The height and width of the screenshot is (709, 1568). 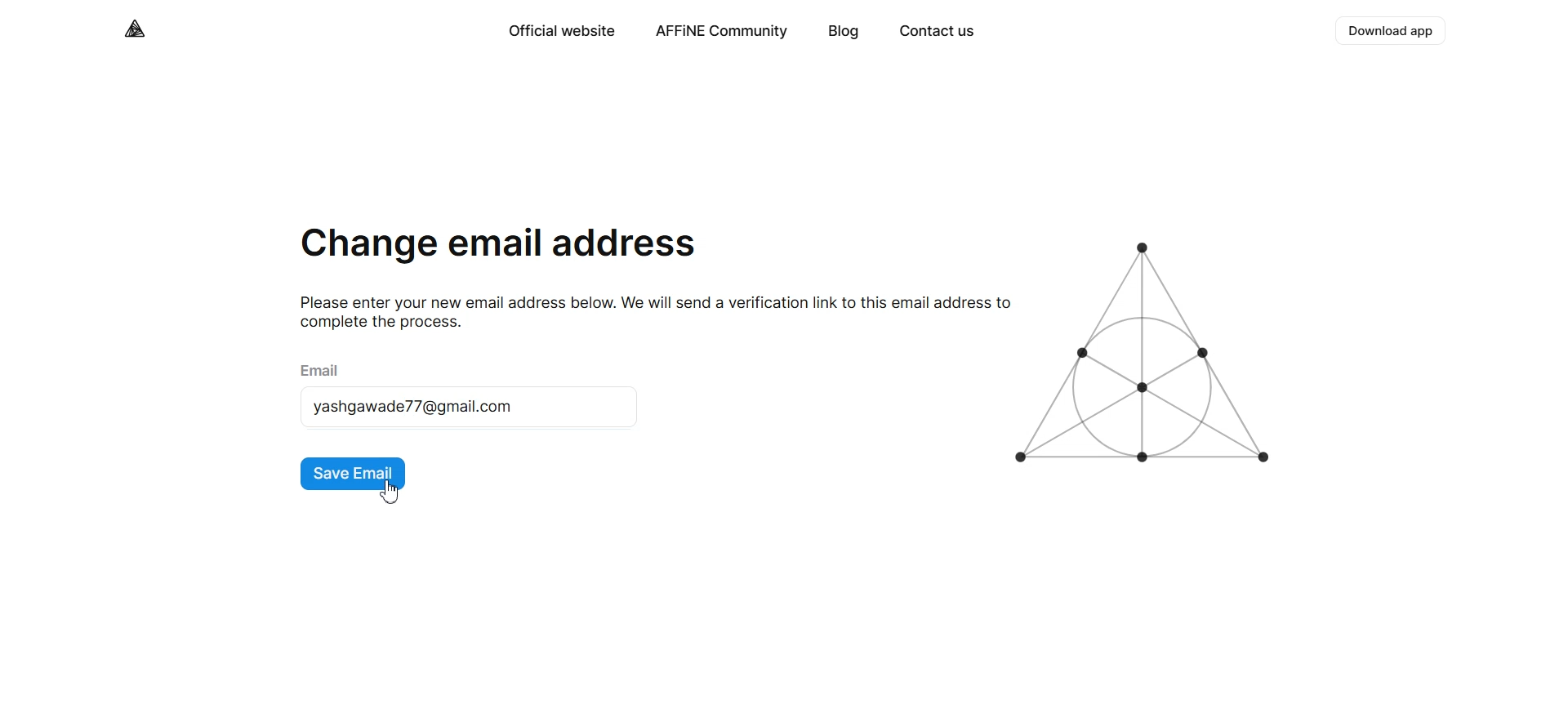 I want to click on Email ID , so click(x=469, y=407).